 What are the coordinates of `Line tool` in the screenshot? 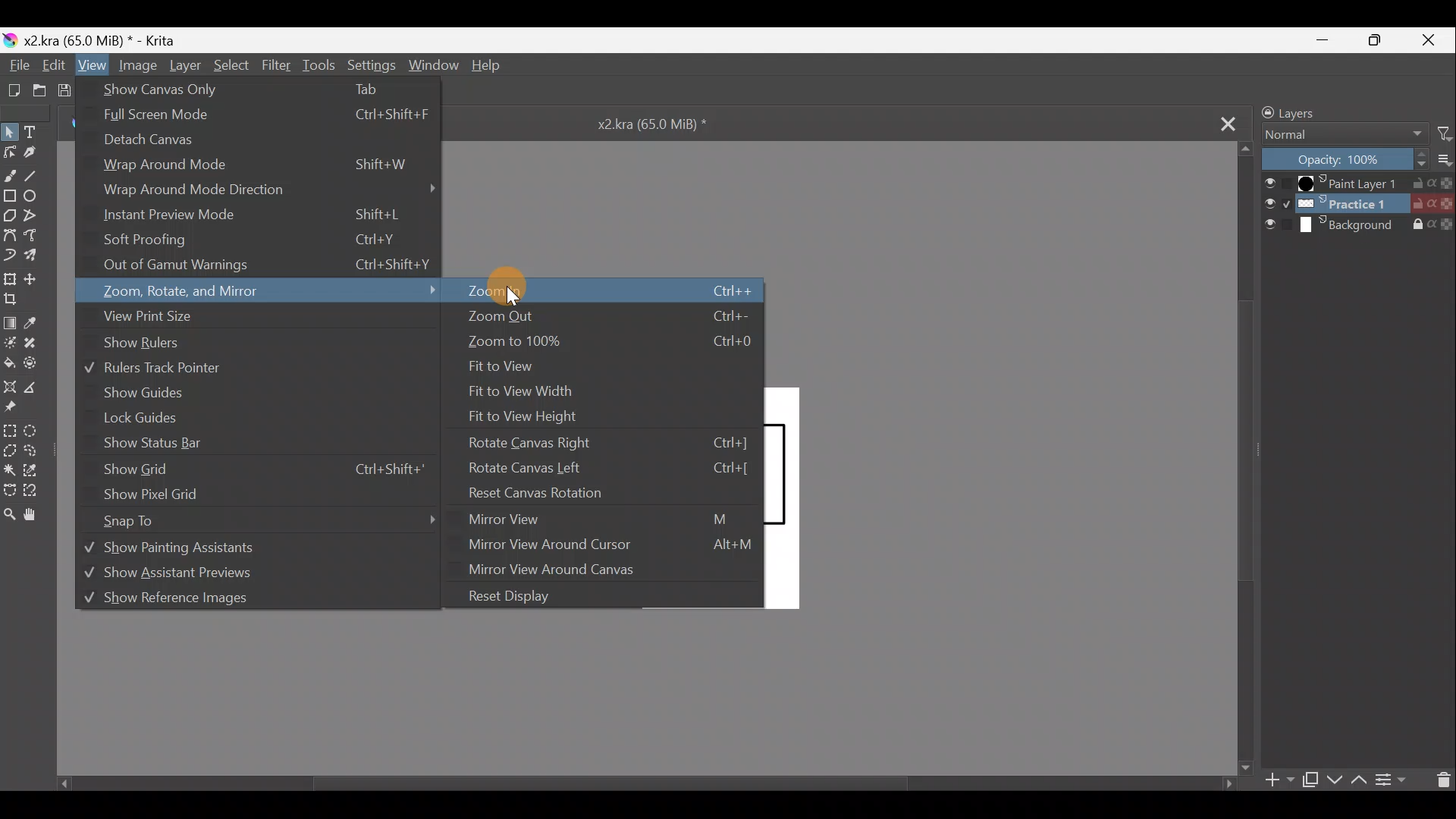 It's located at (36, 174).